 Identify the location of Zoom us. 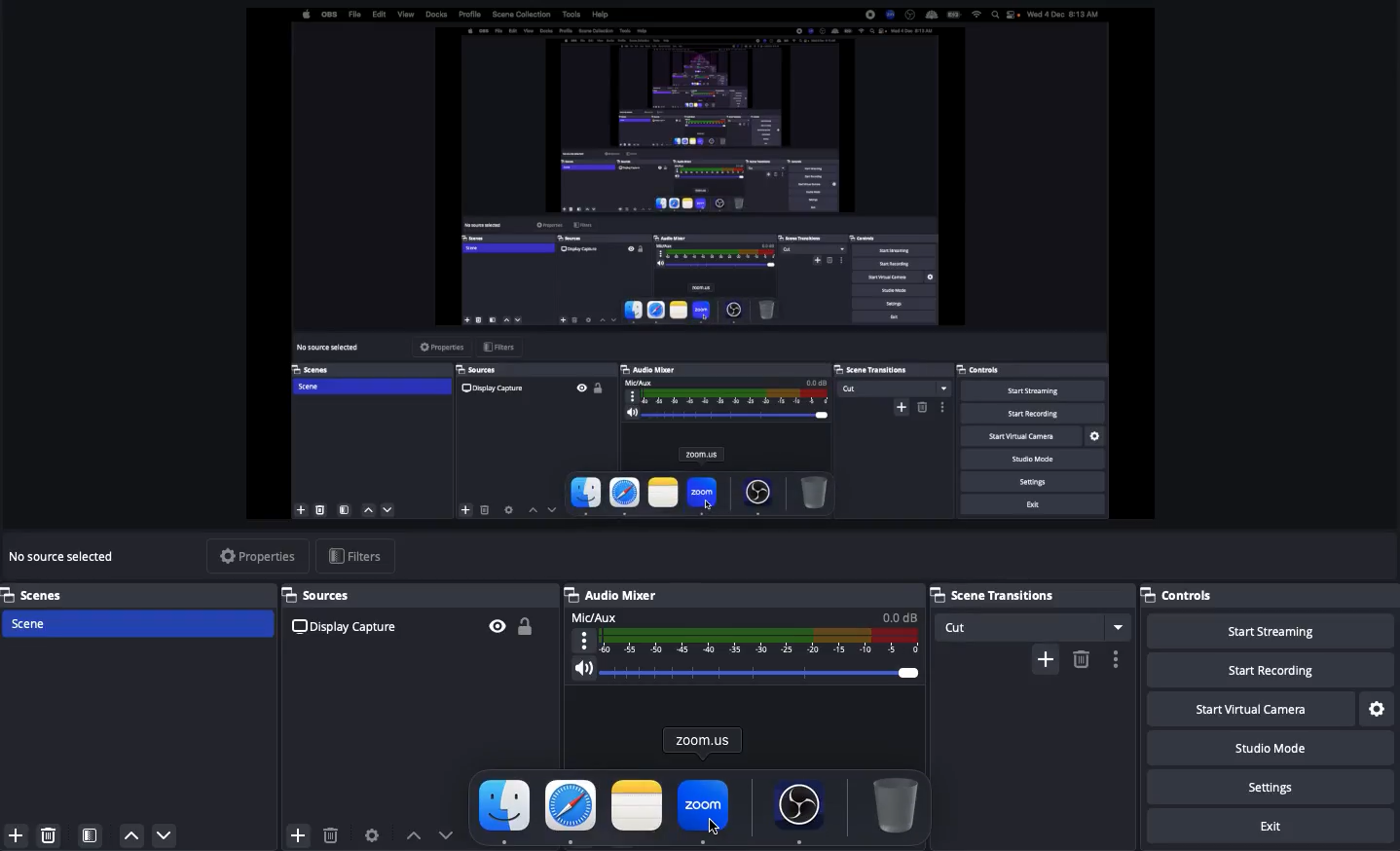
(704, 739).